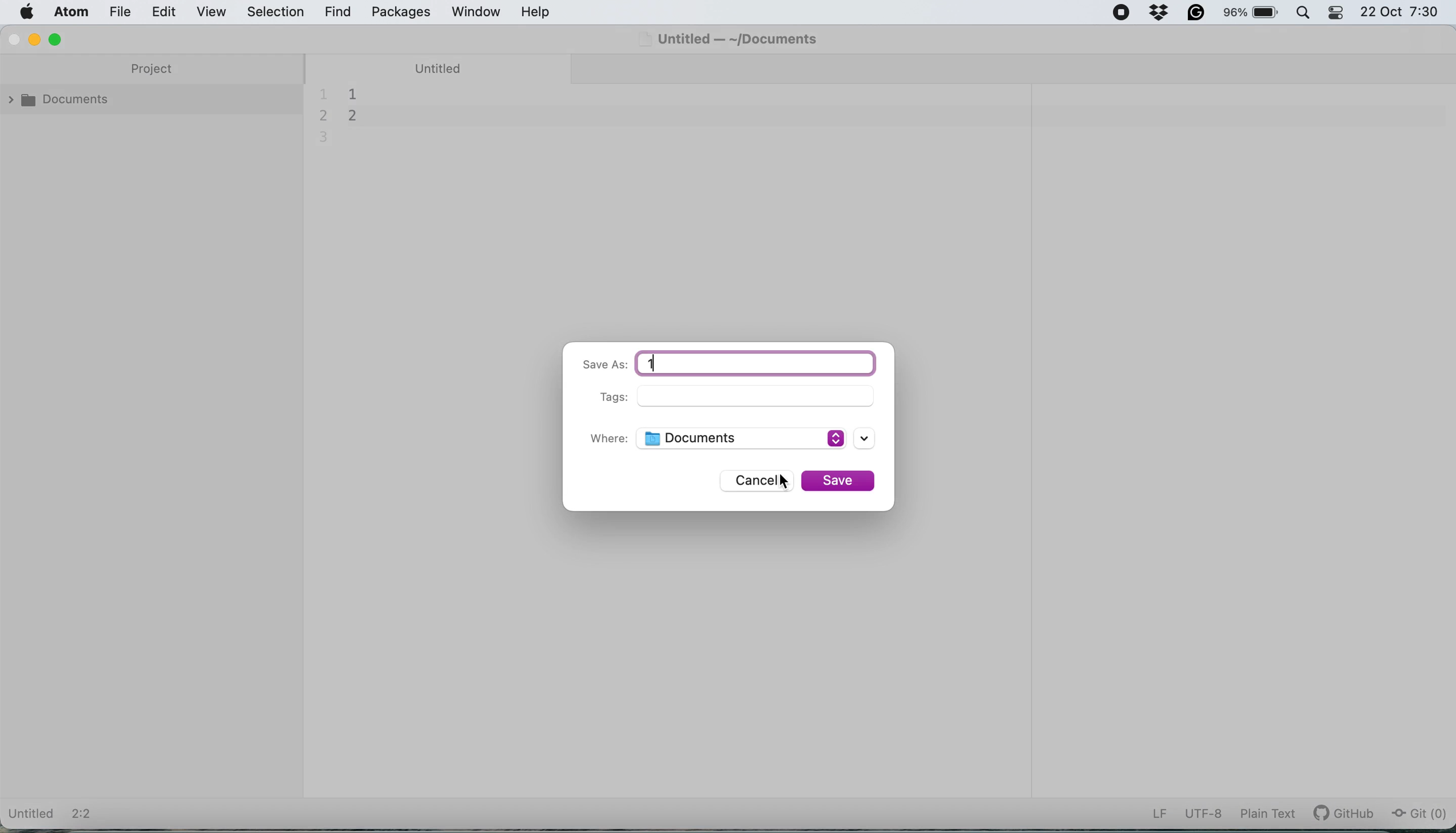 The width and height of the screenshot is (1456, 833). Describe the element at coordinates (757, 396) in the screenshot. I see `tags` at that location.